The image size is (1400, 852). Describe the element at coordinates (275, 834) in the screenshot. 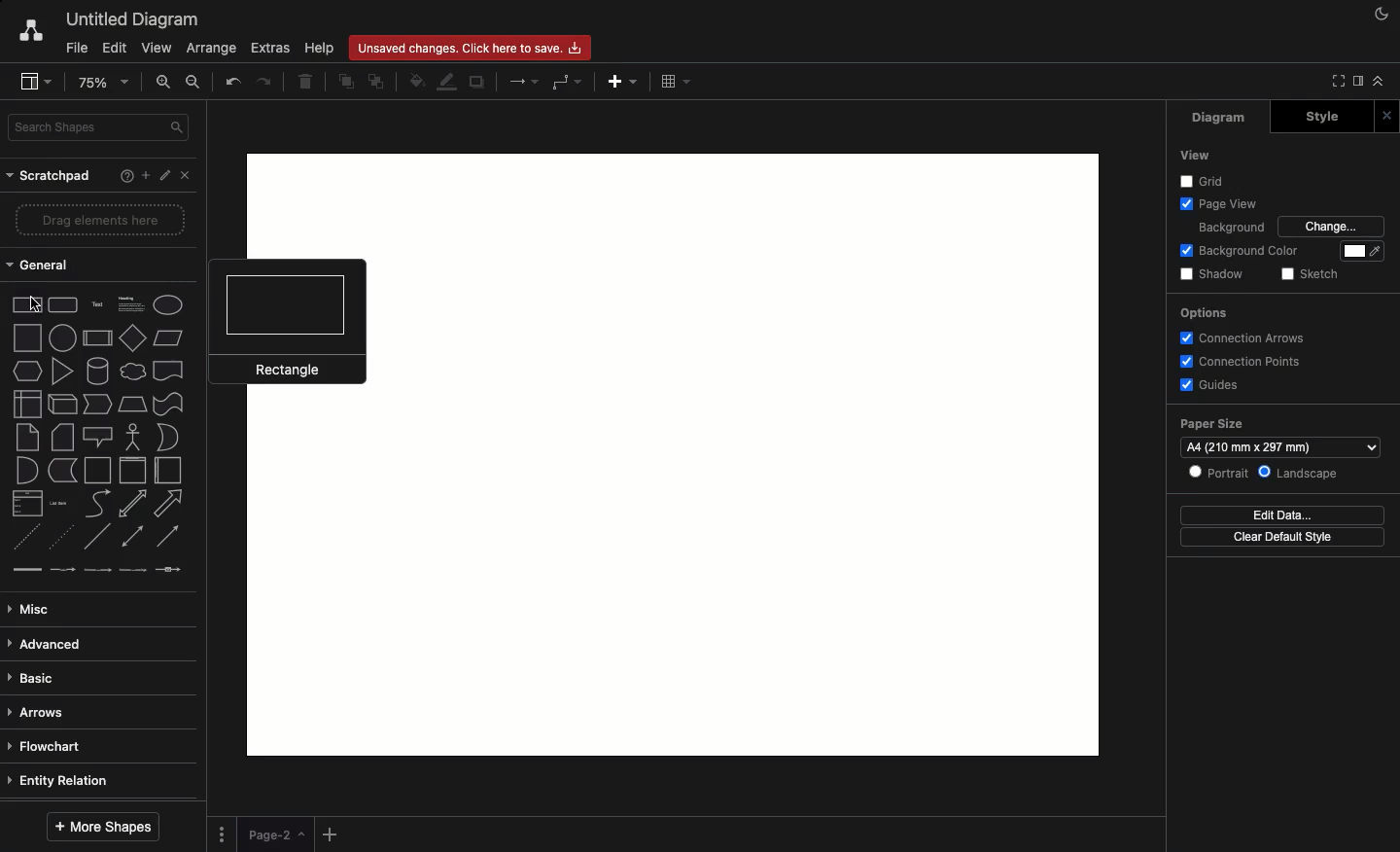

I see `Page` at that location.